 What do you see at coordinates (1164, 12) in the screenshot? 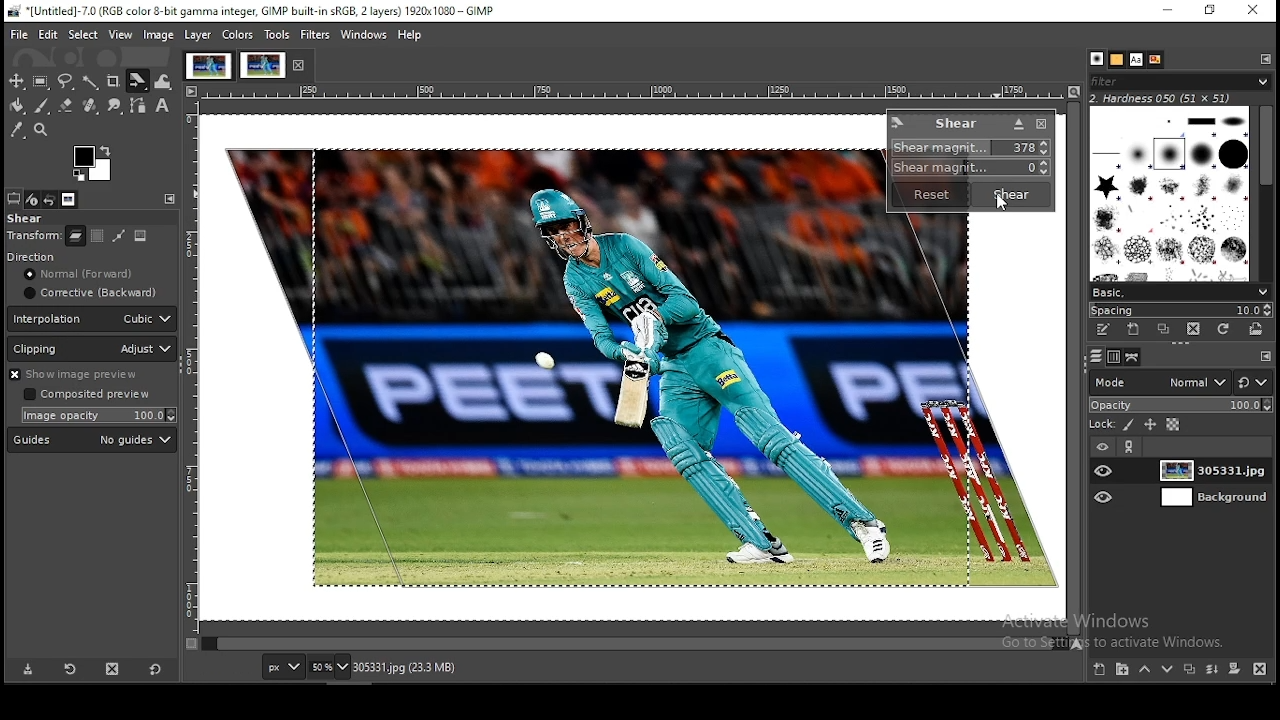
I see `minimize` at bounding box center [1164, 12].